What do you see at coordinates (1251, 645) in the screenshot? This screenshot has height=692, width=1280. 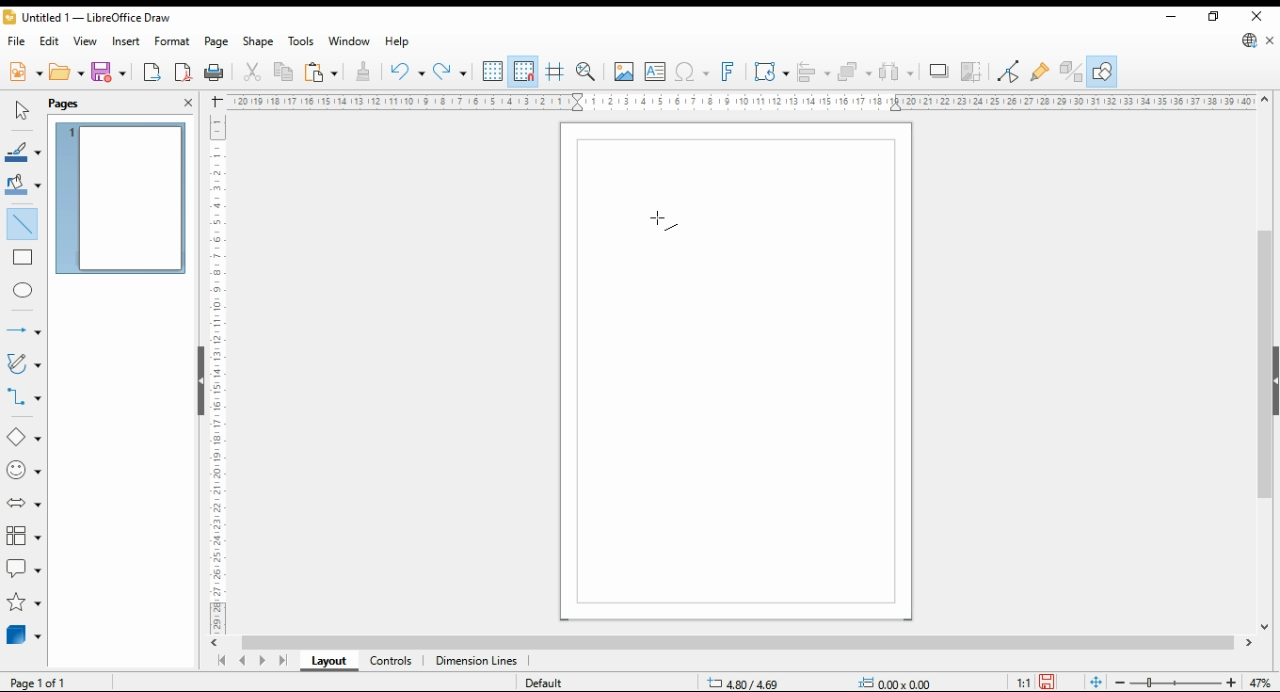 I see `move right` at bounding box center [1251, 645].